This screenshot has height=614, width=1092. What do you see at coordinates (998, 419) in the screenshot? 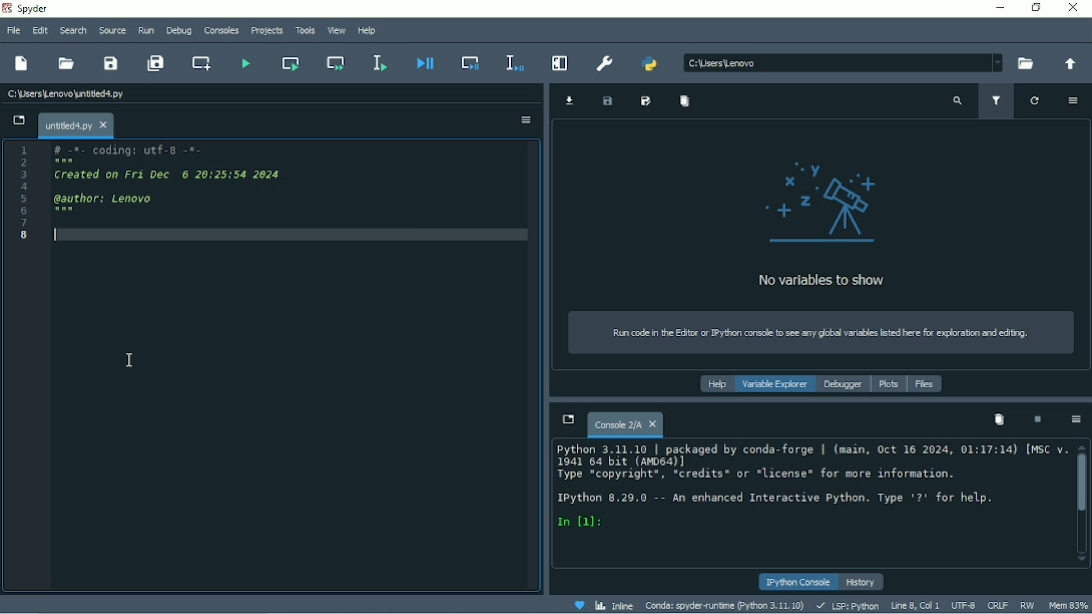
I see `Remove all variables from namespace` at bounding box center [998, 419].